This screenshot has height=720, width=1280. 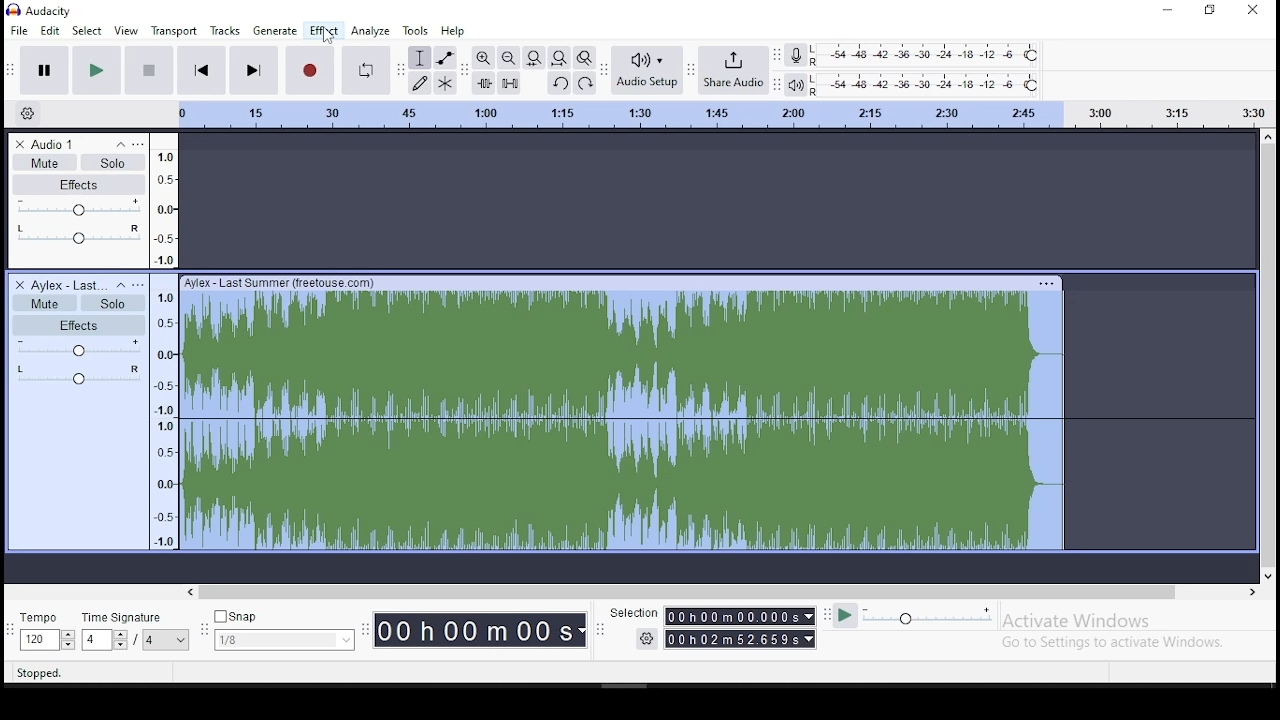 What do you see at coordinates (49, 30) in the screenshot?
I see `edit` at bounding box center [49, 30].